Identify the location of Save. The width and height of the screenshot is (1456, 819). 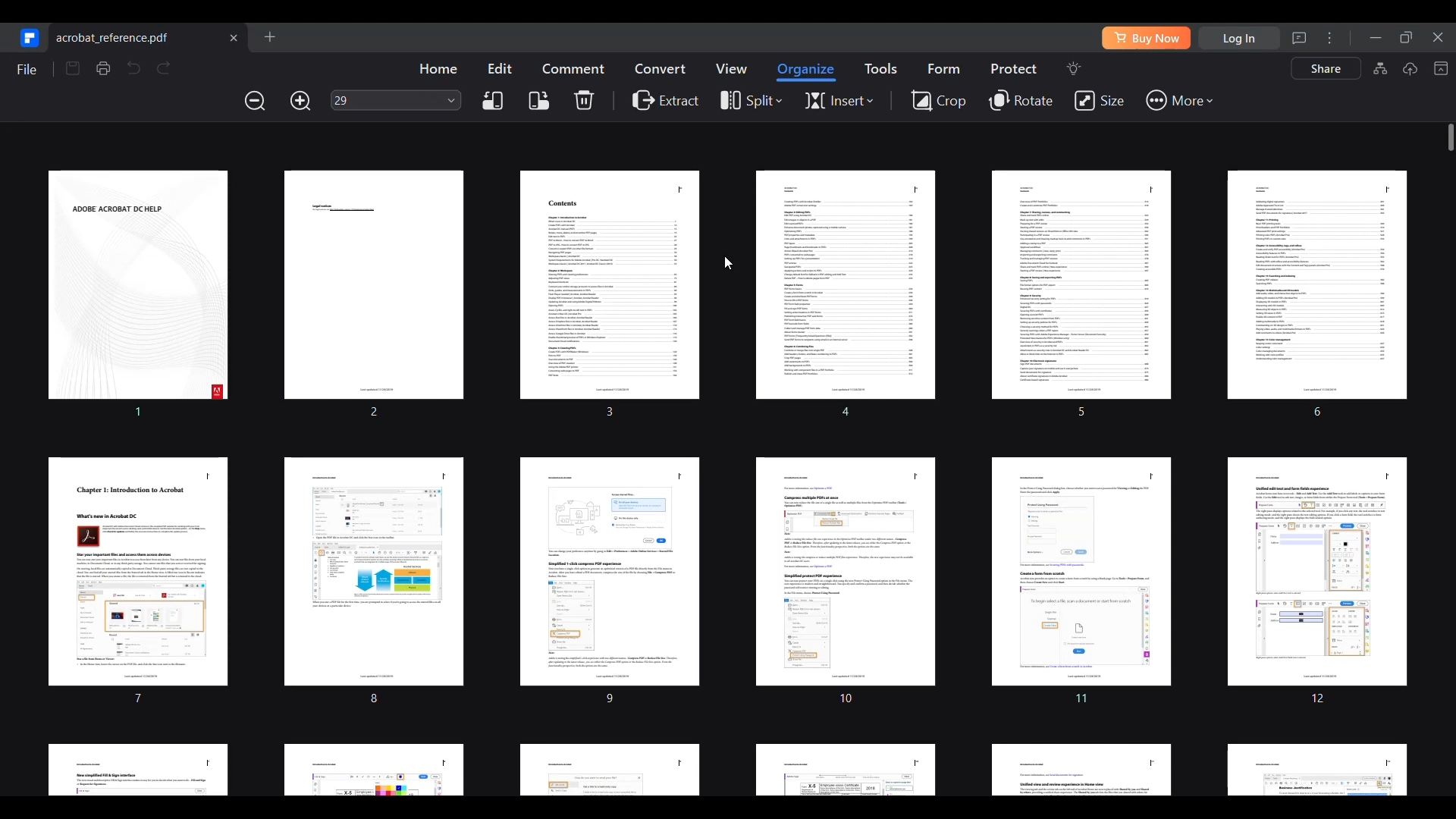
(73, 68).